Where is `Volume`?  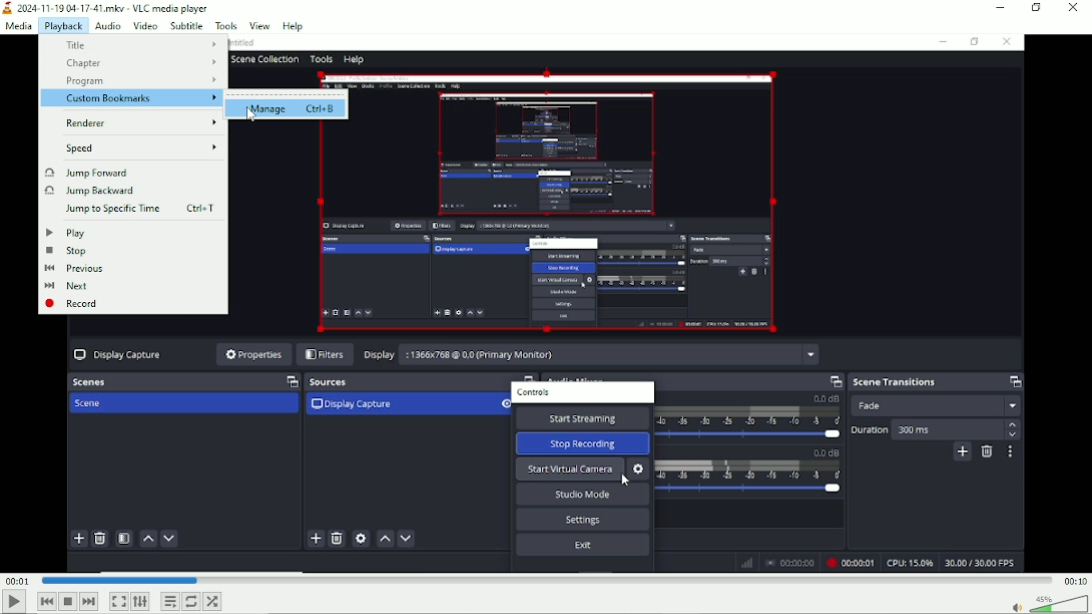
Volume is located at coordinates (1048, 602).